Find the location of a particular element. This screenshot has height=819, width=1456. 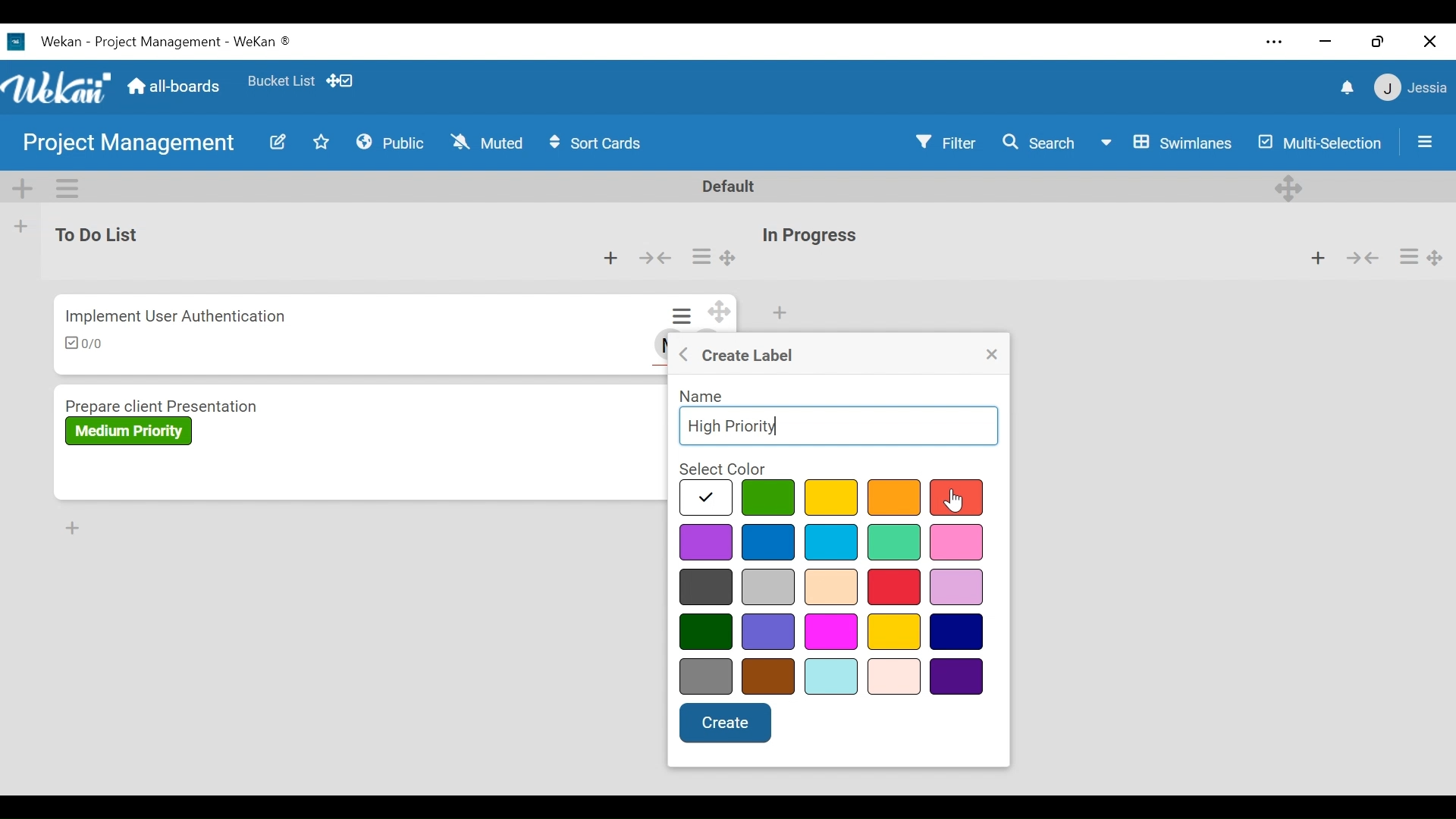

Collapse is located at coordinates (654, 259).